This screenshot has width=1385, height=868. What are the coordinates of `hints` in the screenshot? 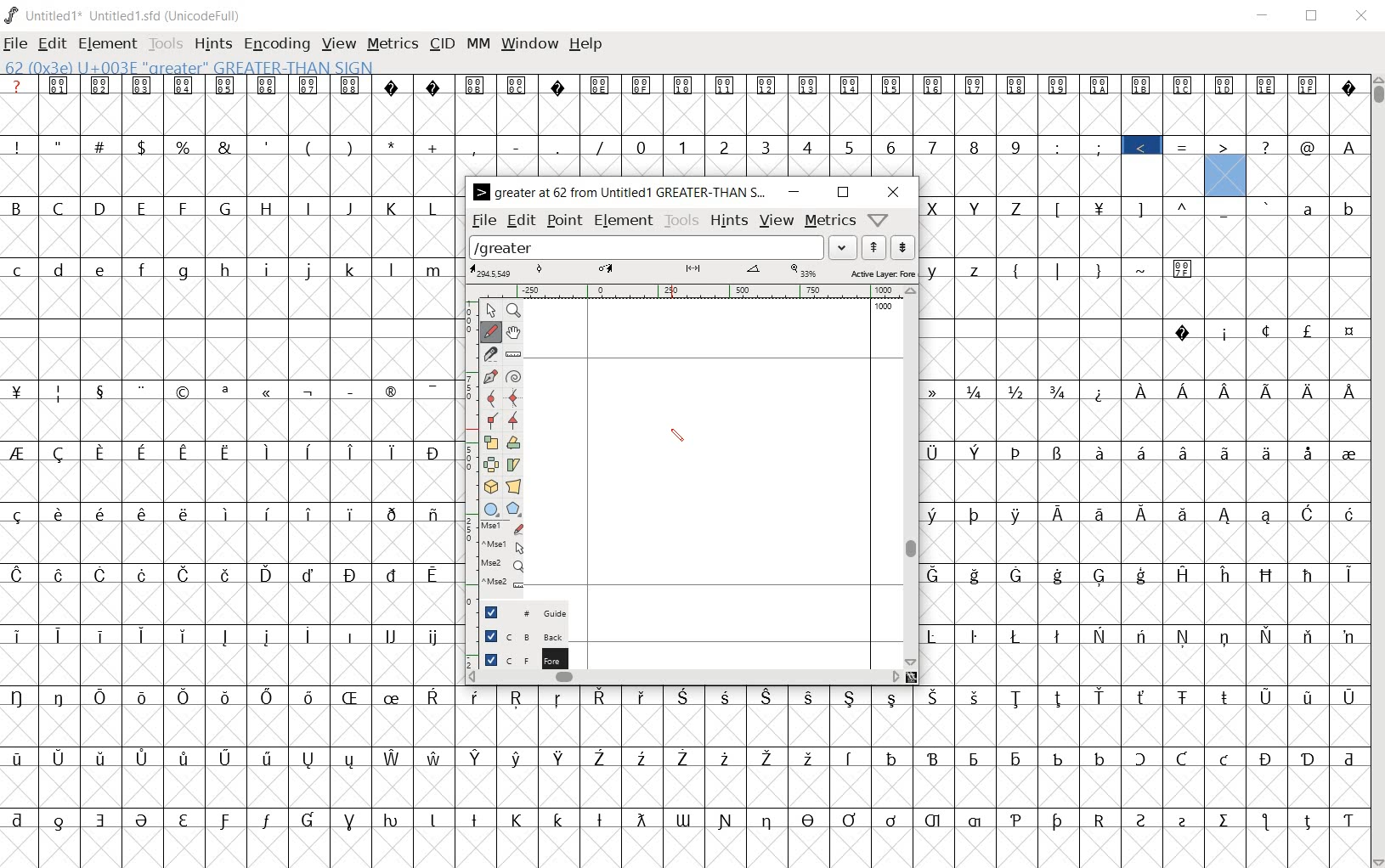 It's located at (730, 222).